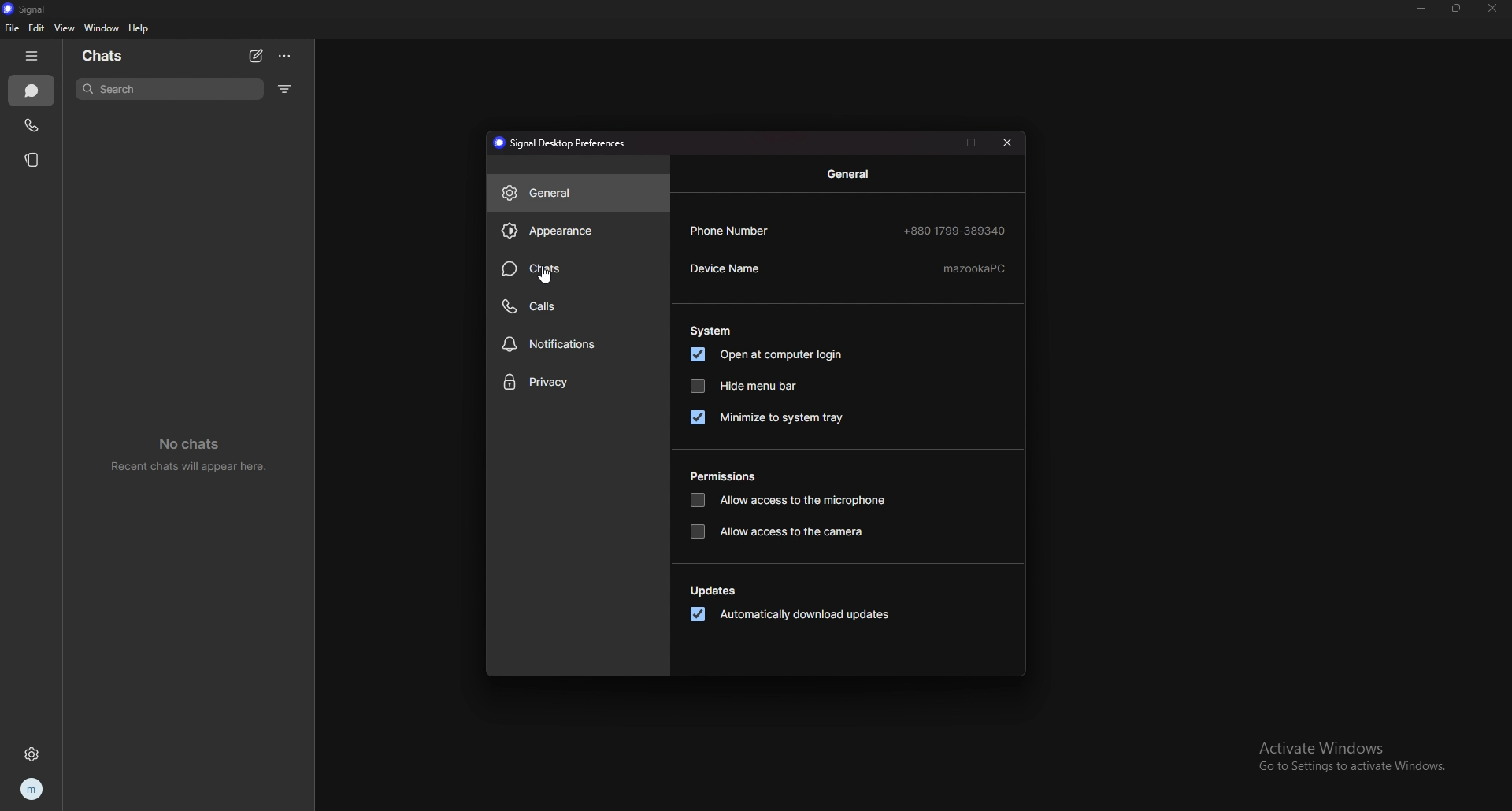 Image resolution: width=1512 pixels, height=811 pixels. I want to click on maximize, so click(972, 142).